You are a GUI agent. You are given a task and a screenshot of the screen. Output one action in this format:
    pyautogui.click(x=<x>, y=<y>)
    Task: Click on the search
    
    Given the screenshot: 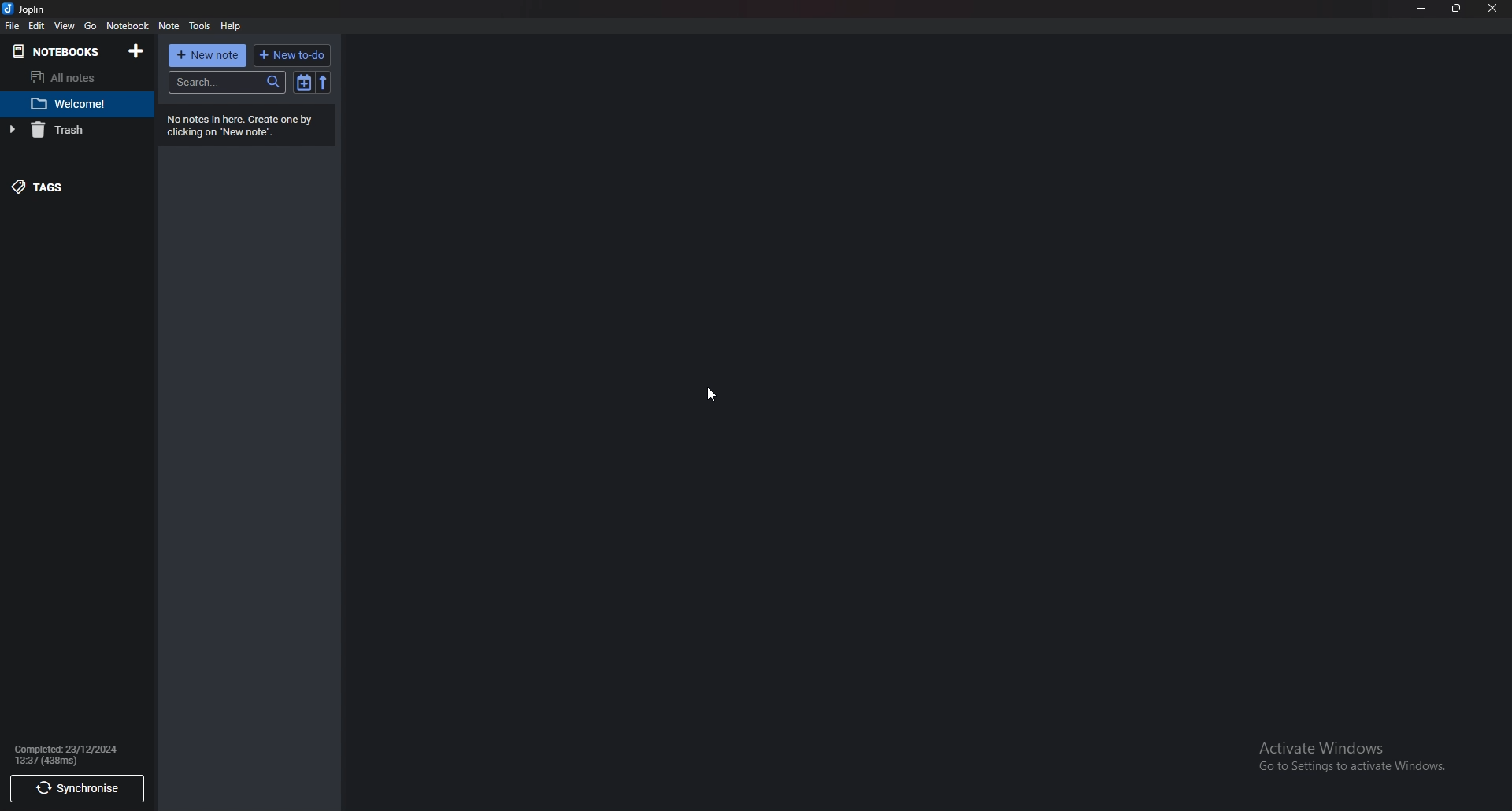 What is the action you would take?
    pyautogui.click(x=227, y=82)
    